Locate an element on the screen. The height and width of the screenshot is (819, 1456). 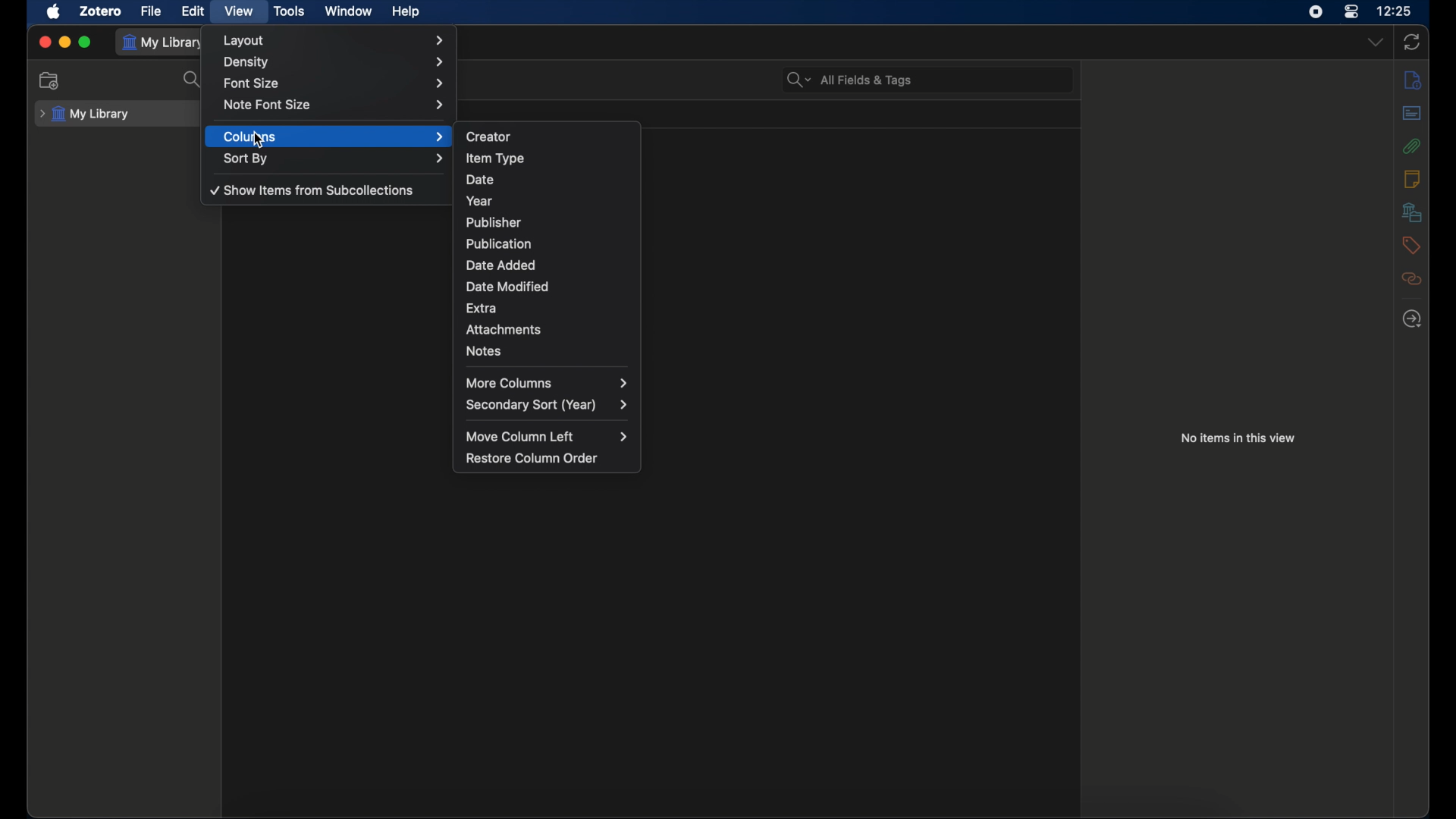
creator is located at coordinates (491, 136).